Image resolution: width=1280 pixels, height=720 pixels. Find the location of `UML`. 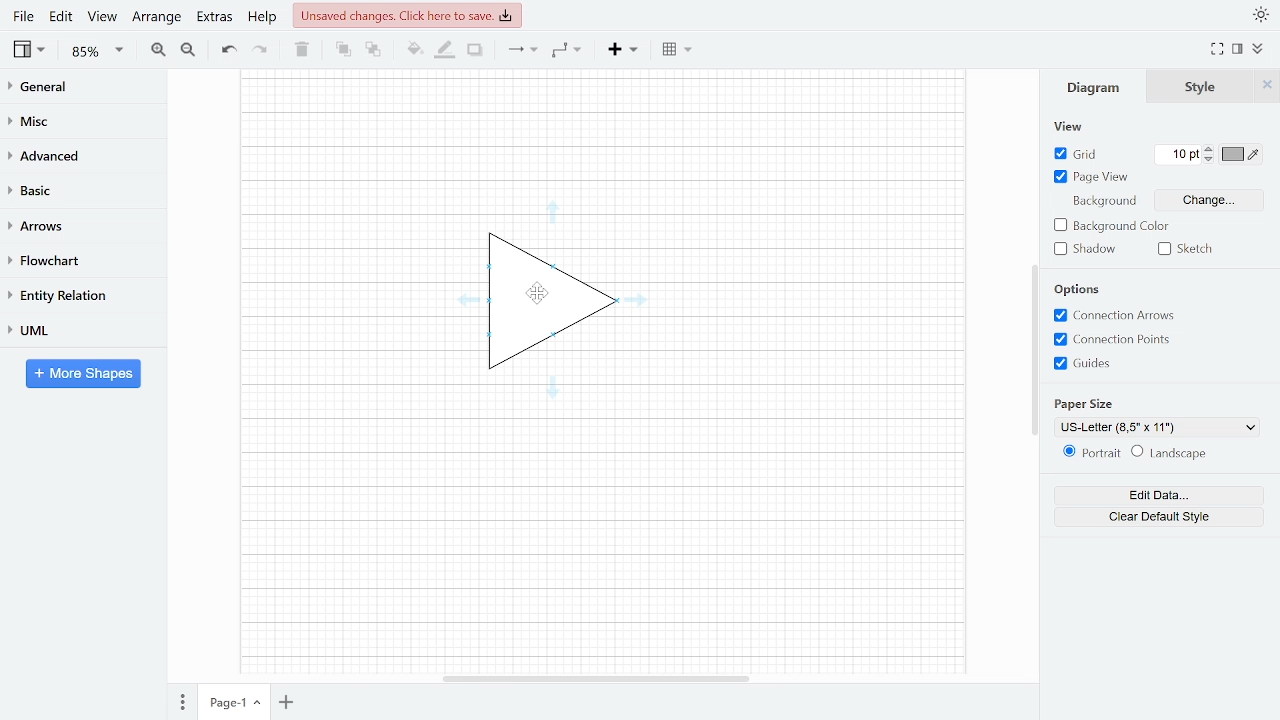

UML is located at coordinates (74, 330).